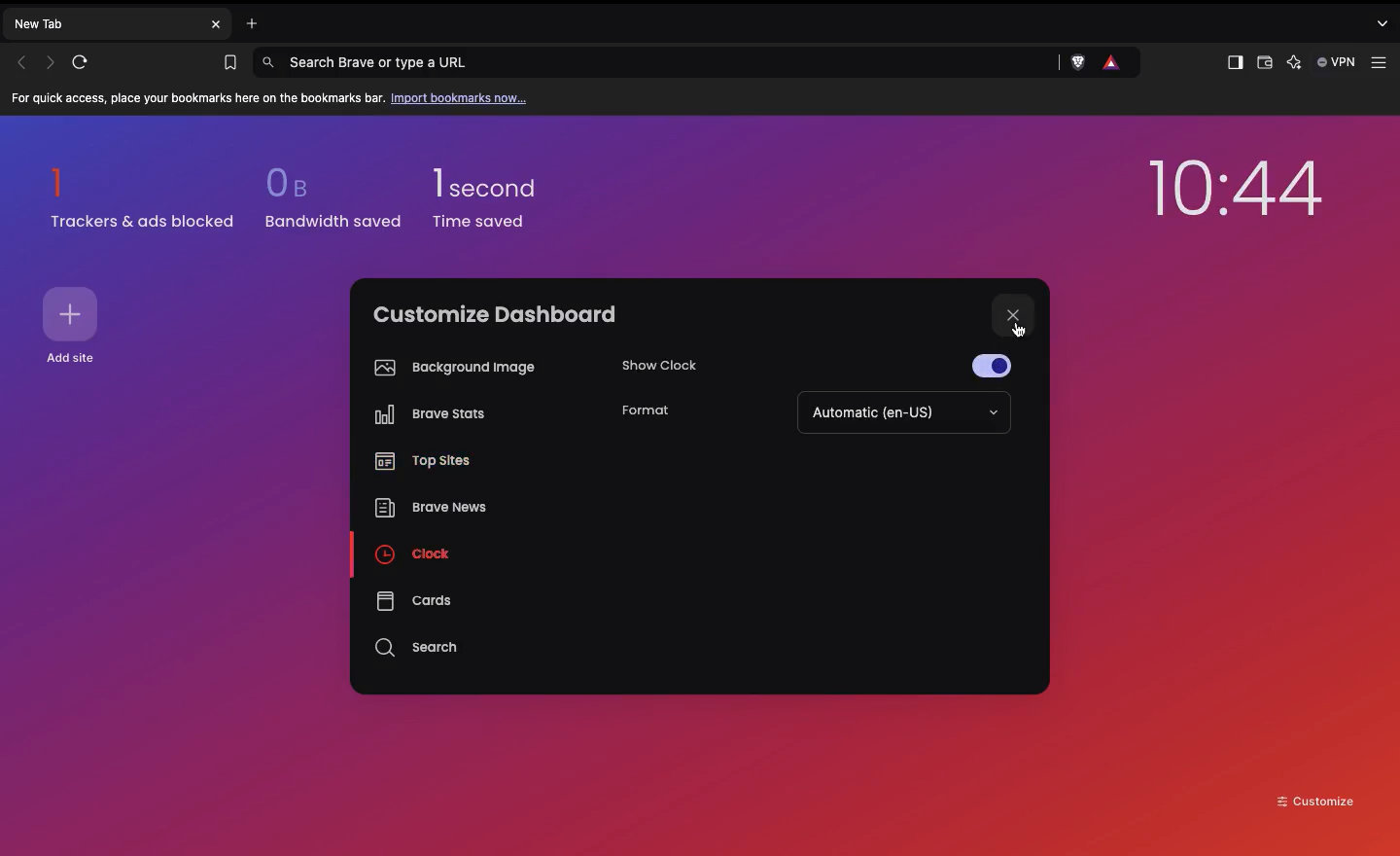 The width and height of the screenshot is (1400, 856). I want to click on Open new tab, so click(247, 21).